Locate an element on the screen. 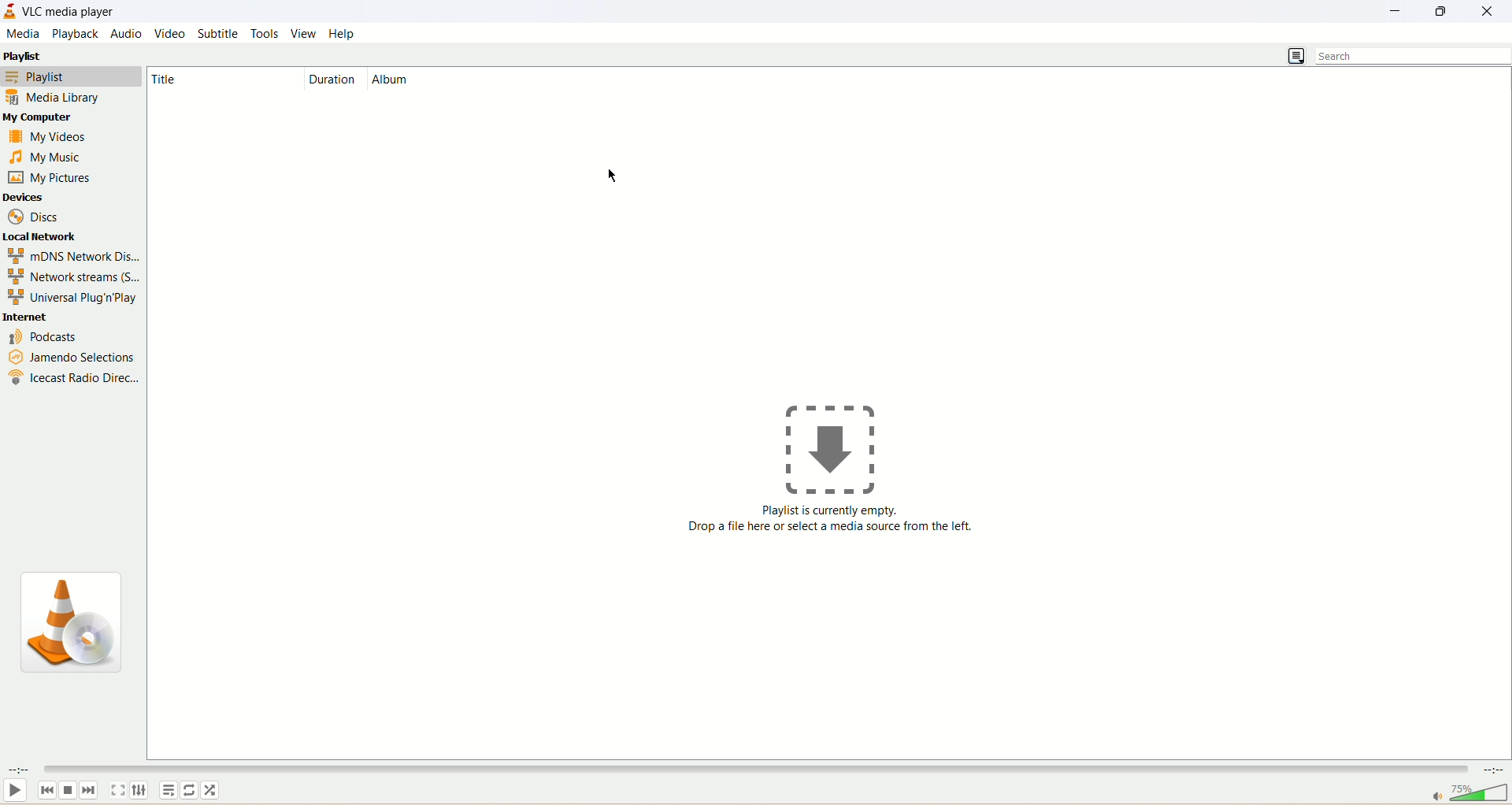  podcasts is located at coordinates (40, 337).